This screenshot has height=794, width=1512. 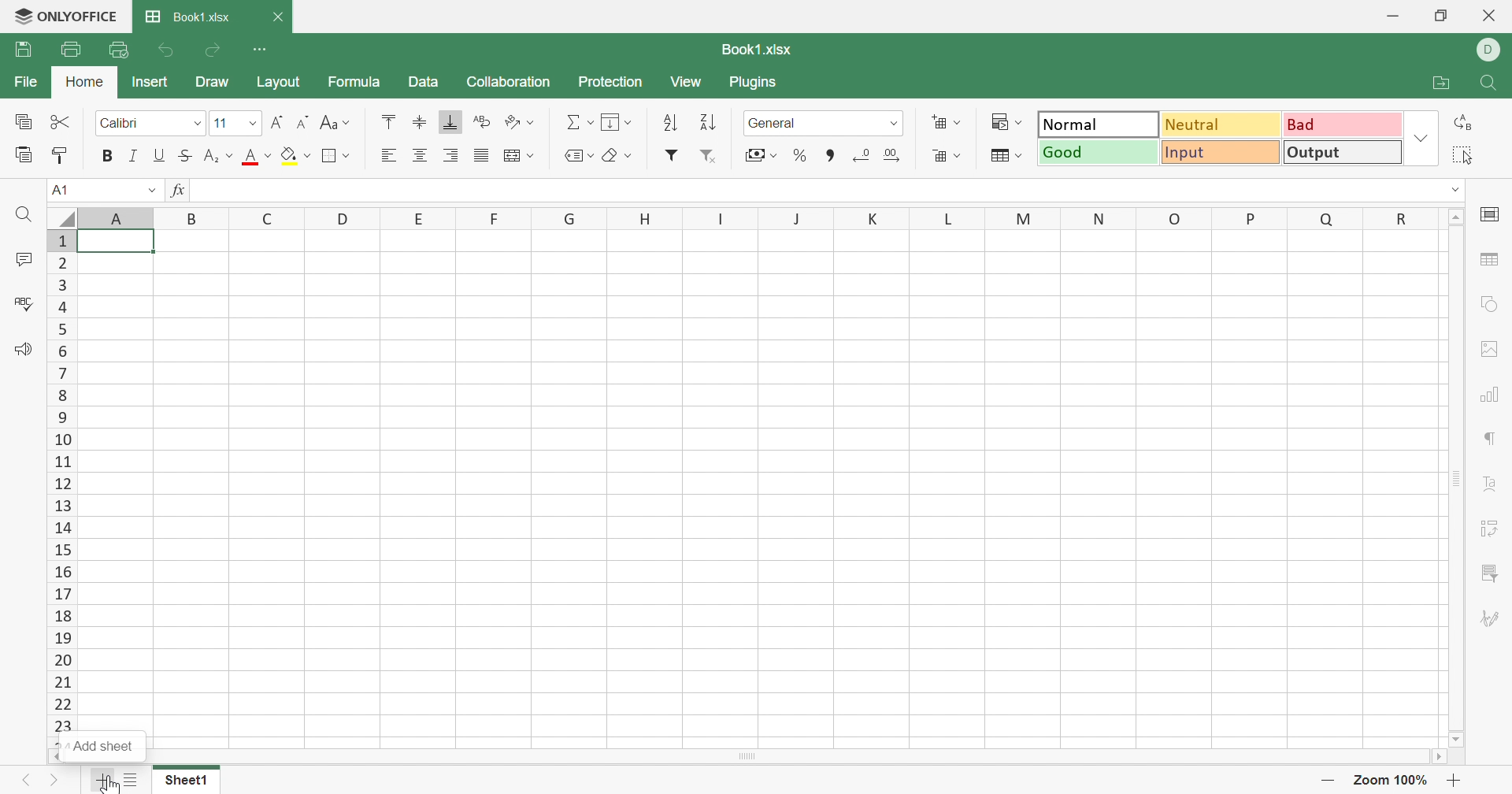 What do you see at coordinates (347, 123) in the screenshot?
I see `Drop Down` at bounding box center [347, 123].